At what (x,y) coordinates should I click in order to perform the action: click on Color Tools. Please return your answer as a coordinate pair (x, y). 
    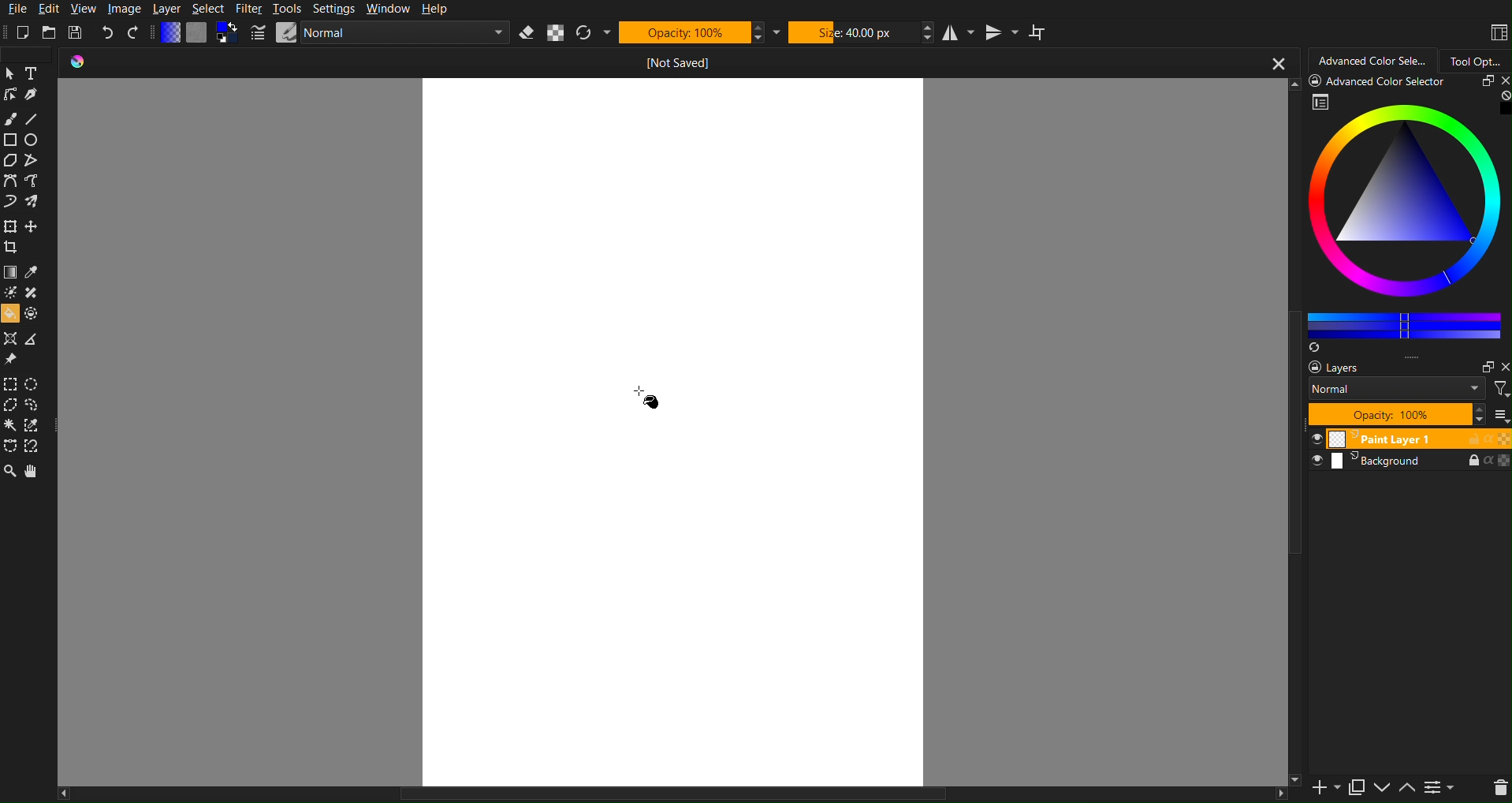
    Looking at the image, I should click on (28, 291).